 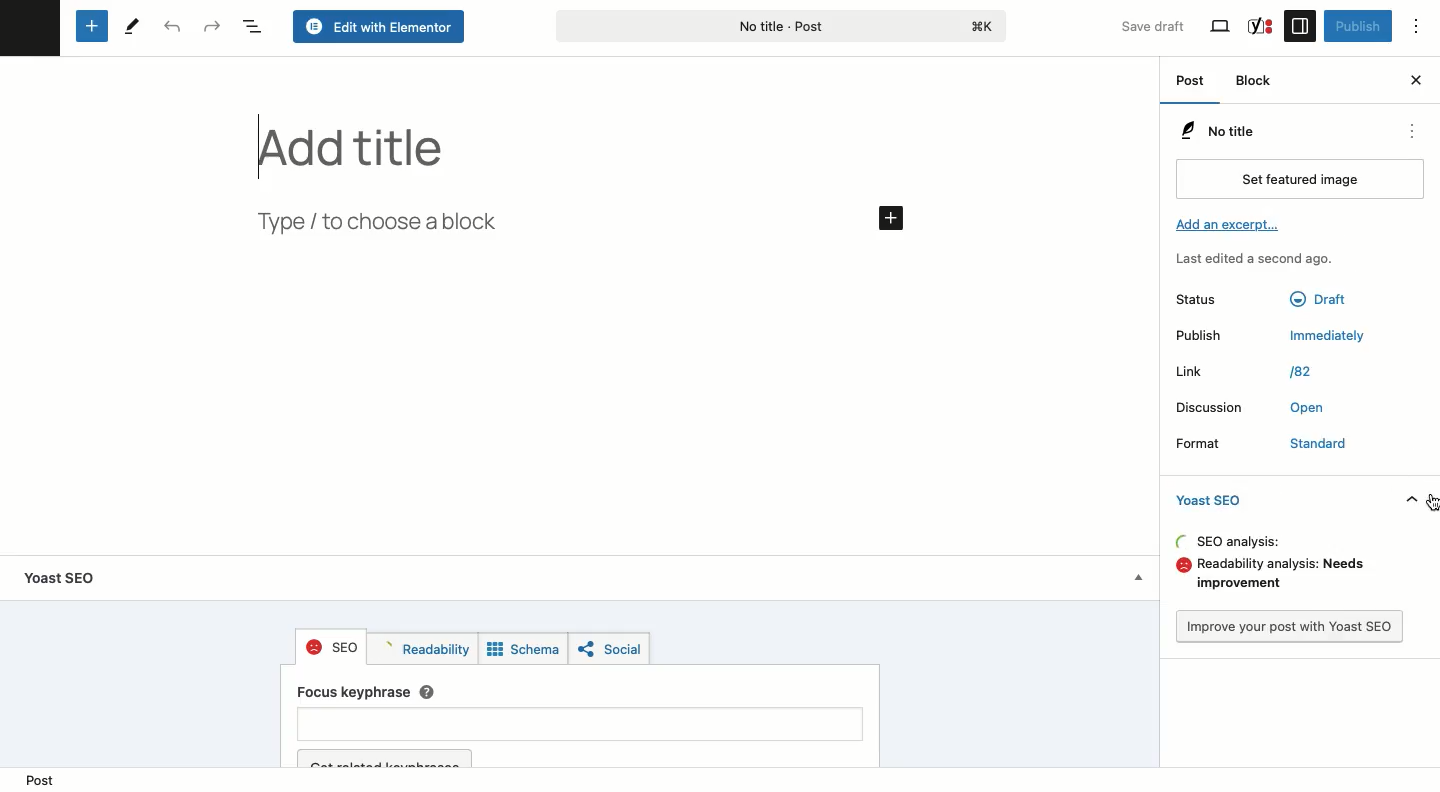 What do you see at coordinates (1134, 579) in the screenshot?
I see `Hide` at bounding box center [1134, 579].